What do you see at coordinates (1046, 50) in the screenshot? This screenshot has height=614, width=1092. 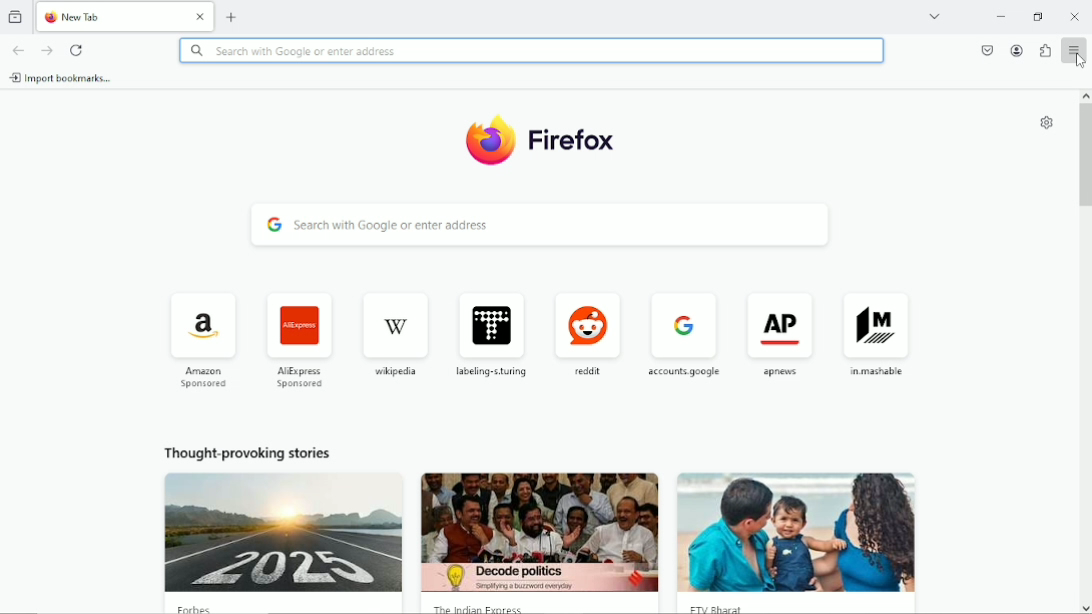 I see `Extensions` at bounding box center [1046, 50].